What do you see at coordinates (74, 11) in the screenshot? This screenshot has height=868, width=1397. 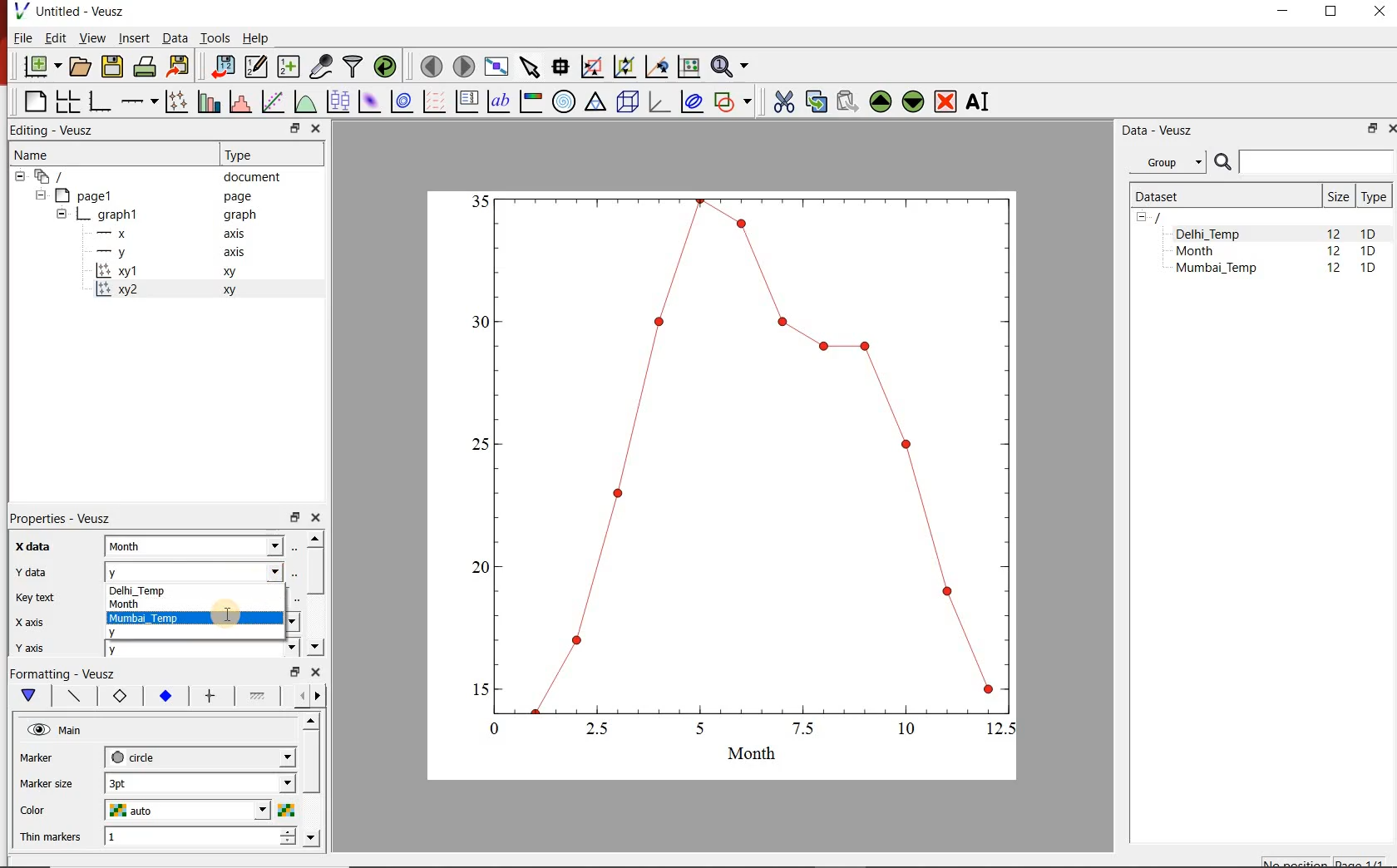 I see `Untitled-Veusz` at bounding box center [74, 11].